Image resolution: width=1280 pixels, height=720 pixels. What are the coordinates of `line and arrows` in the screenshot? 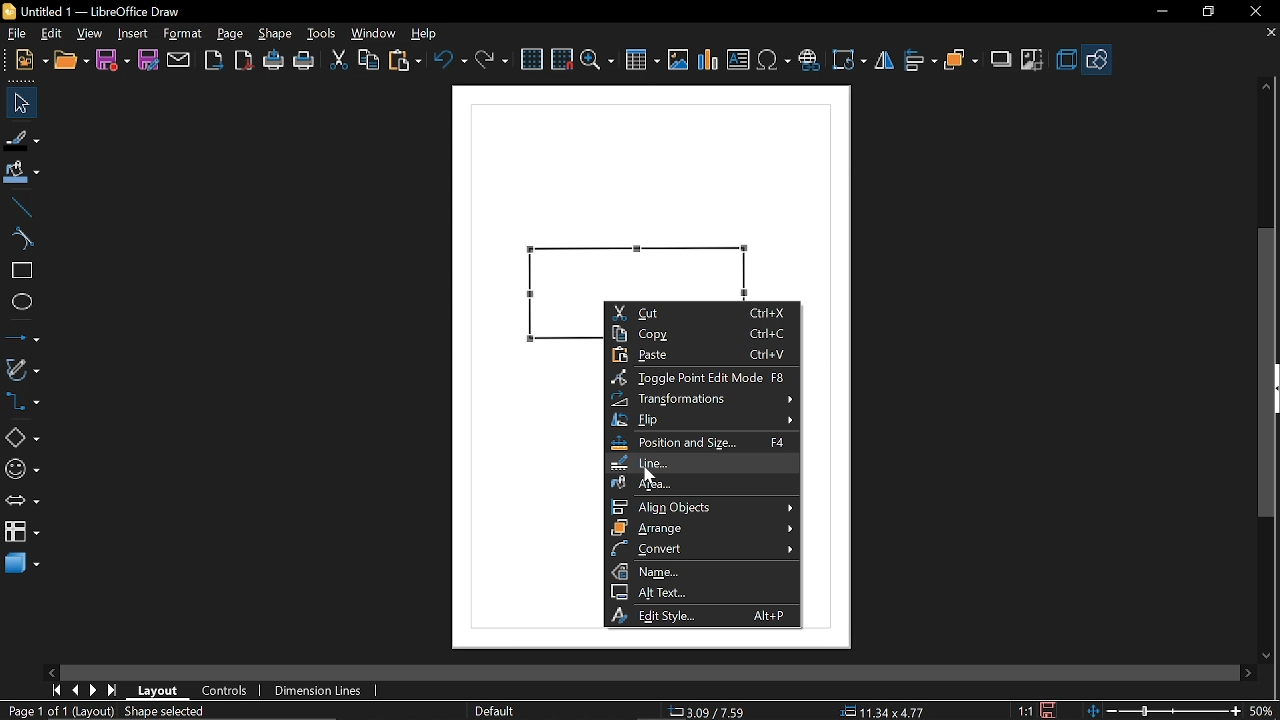 It's located at (22, 336).